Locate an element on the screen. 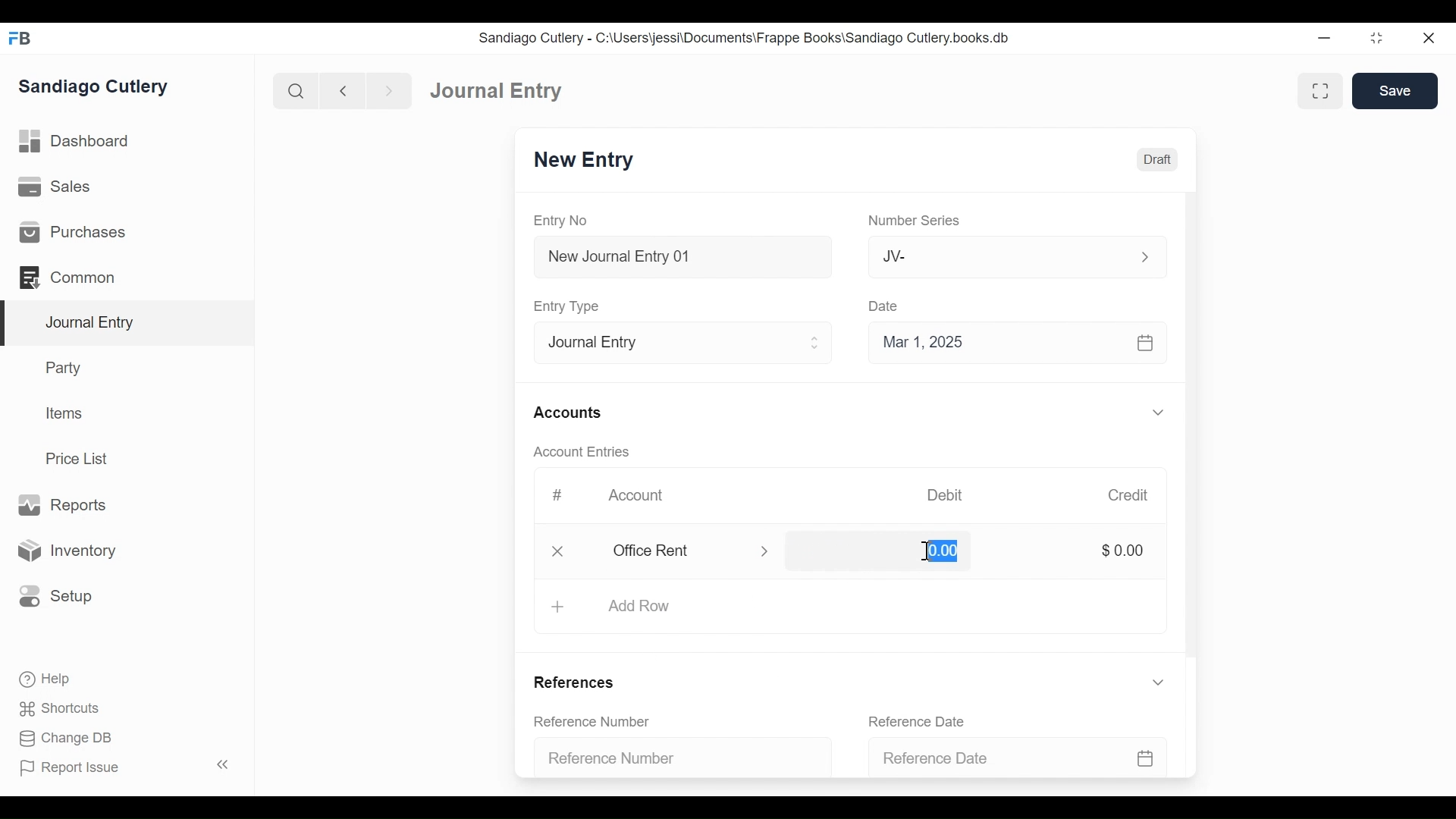 The width and height of the screenshot is (1456, 819). search  is located at coordinates (293, 88).